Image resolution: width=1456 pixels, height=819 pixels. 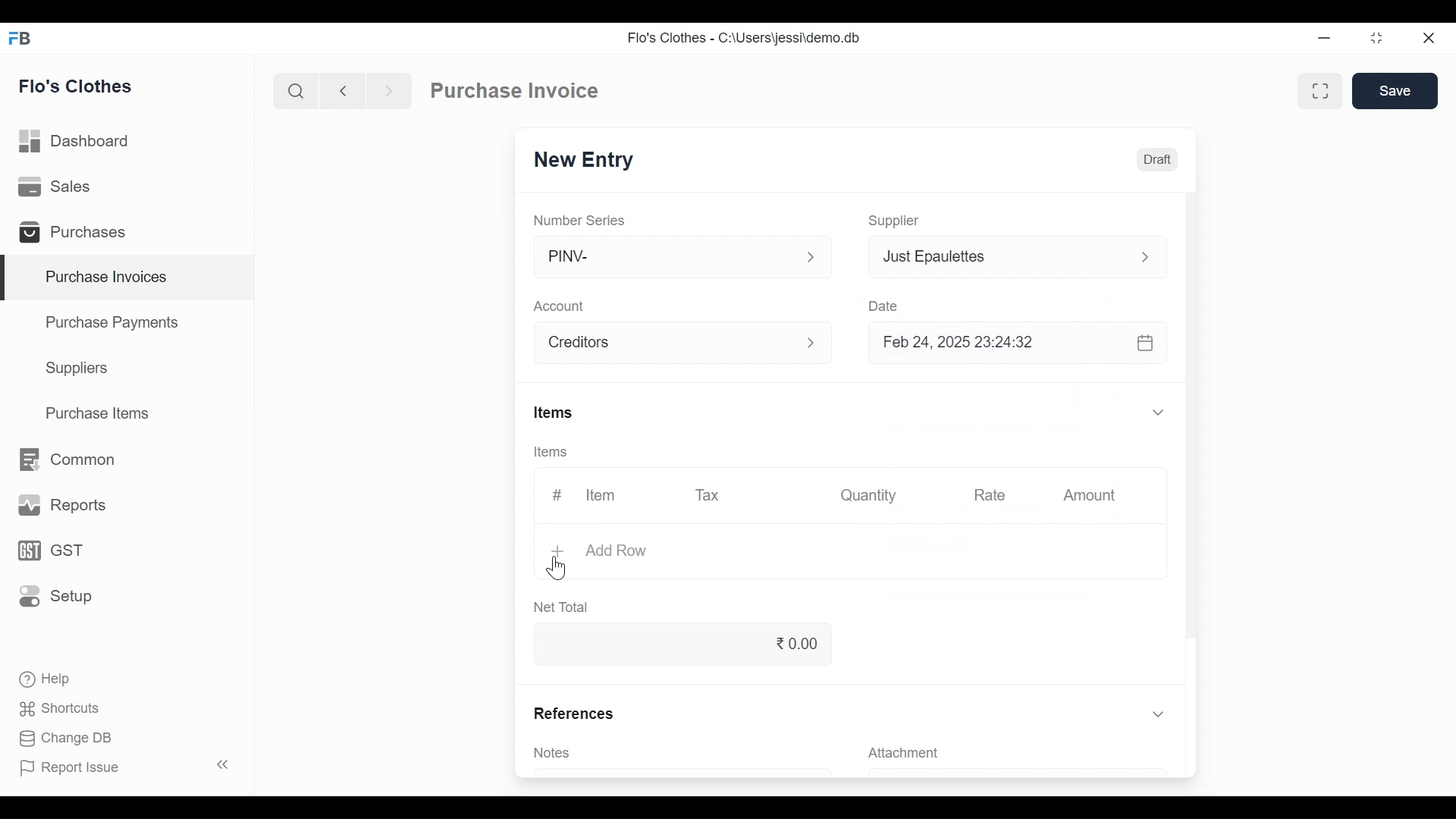 What do you see at coordinates (883, 303) in the screenshot?
I see `Date` at bounding box center [883, 303].